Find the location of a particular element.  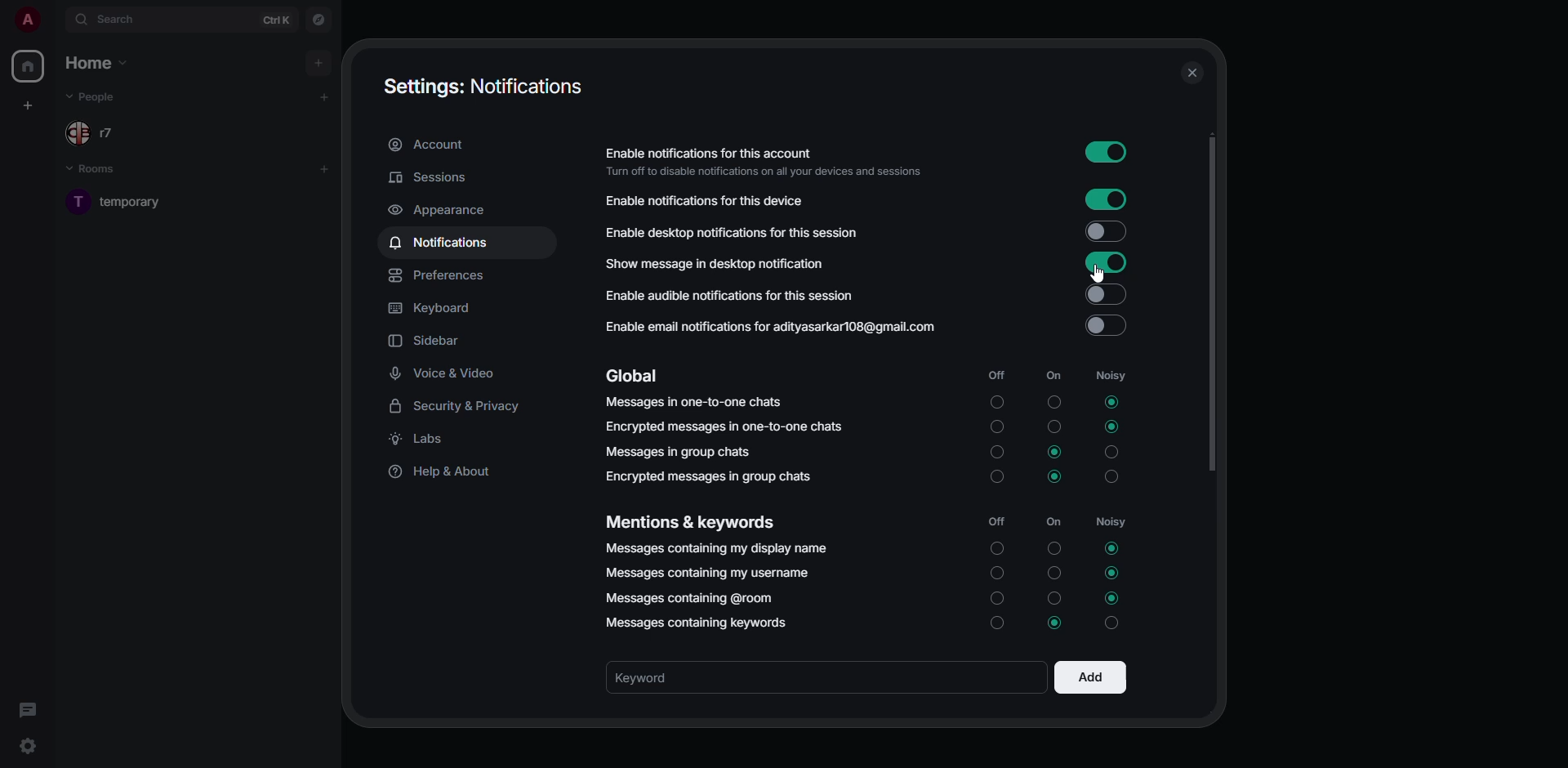

messages containing username is located at coordinates (707, 572).